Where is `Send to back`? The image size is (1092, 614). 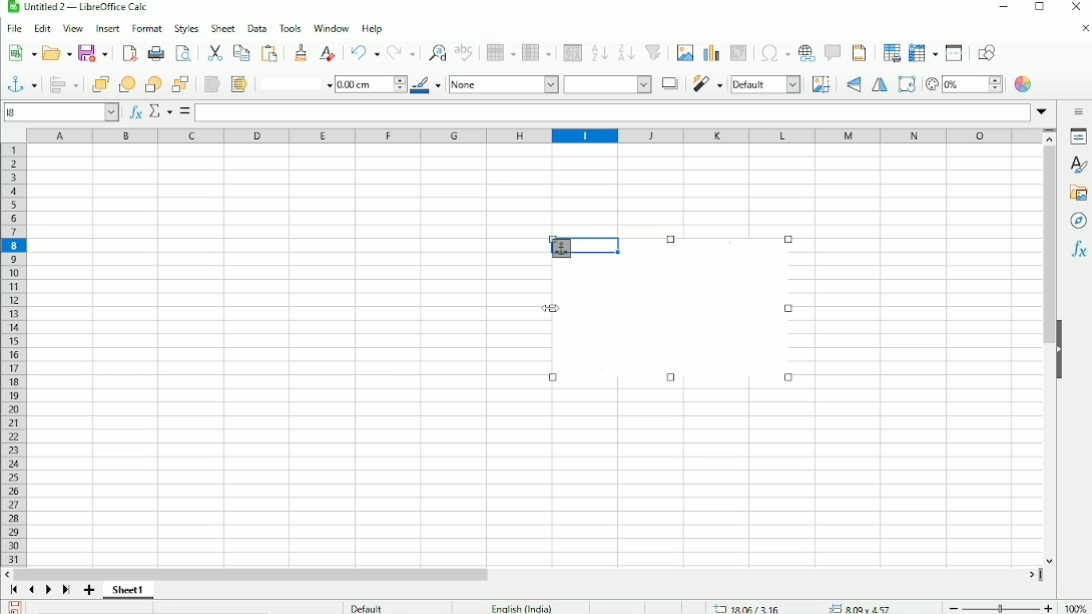 Send to back is located at coordinates (181, 83).